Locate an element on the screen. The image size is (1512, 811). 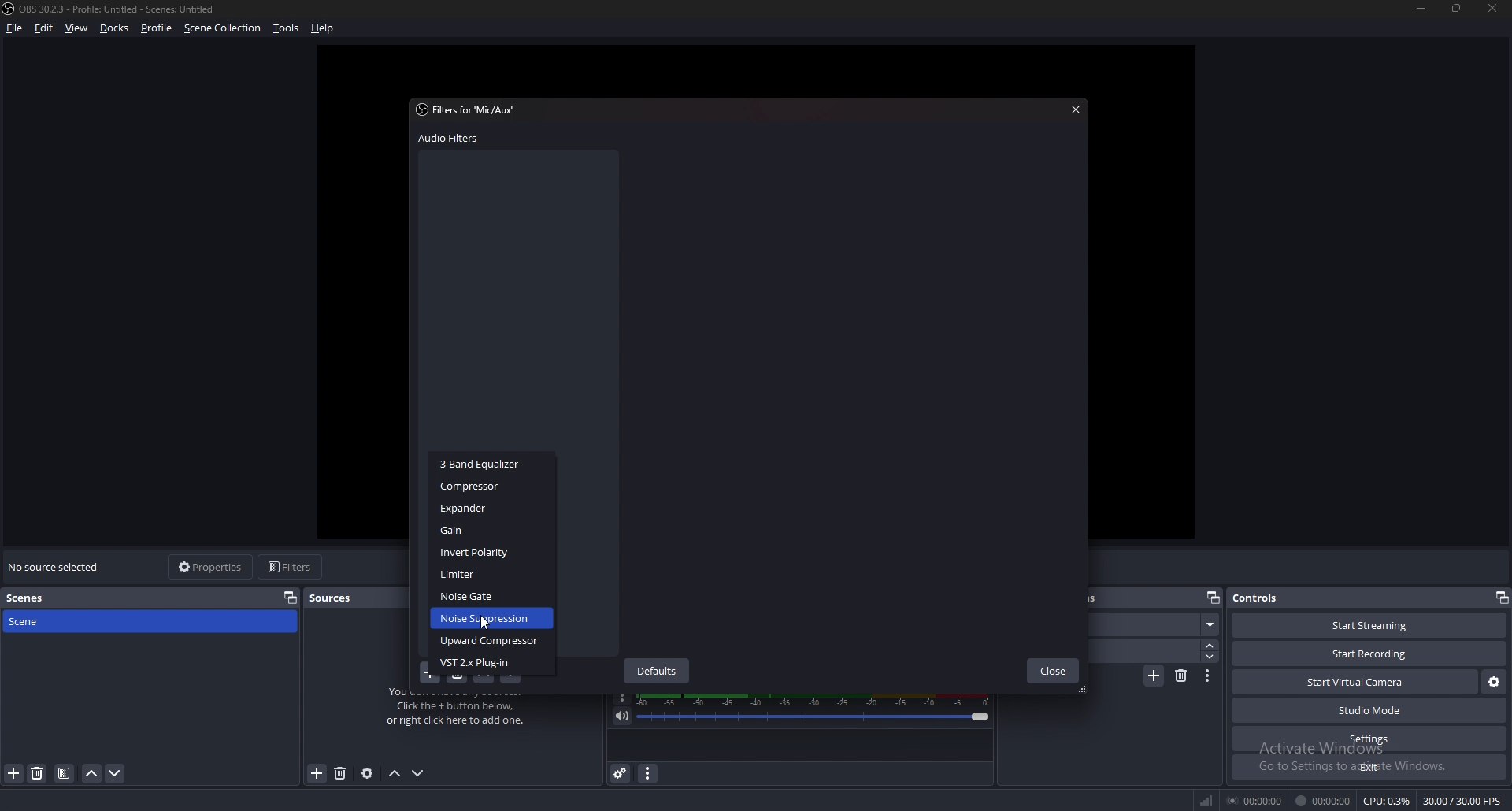
mute is located at coordinates (622, 717).